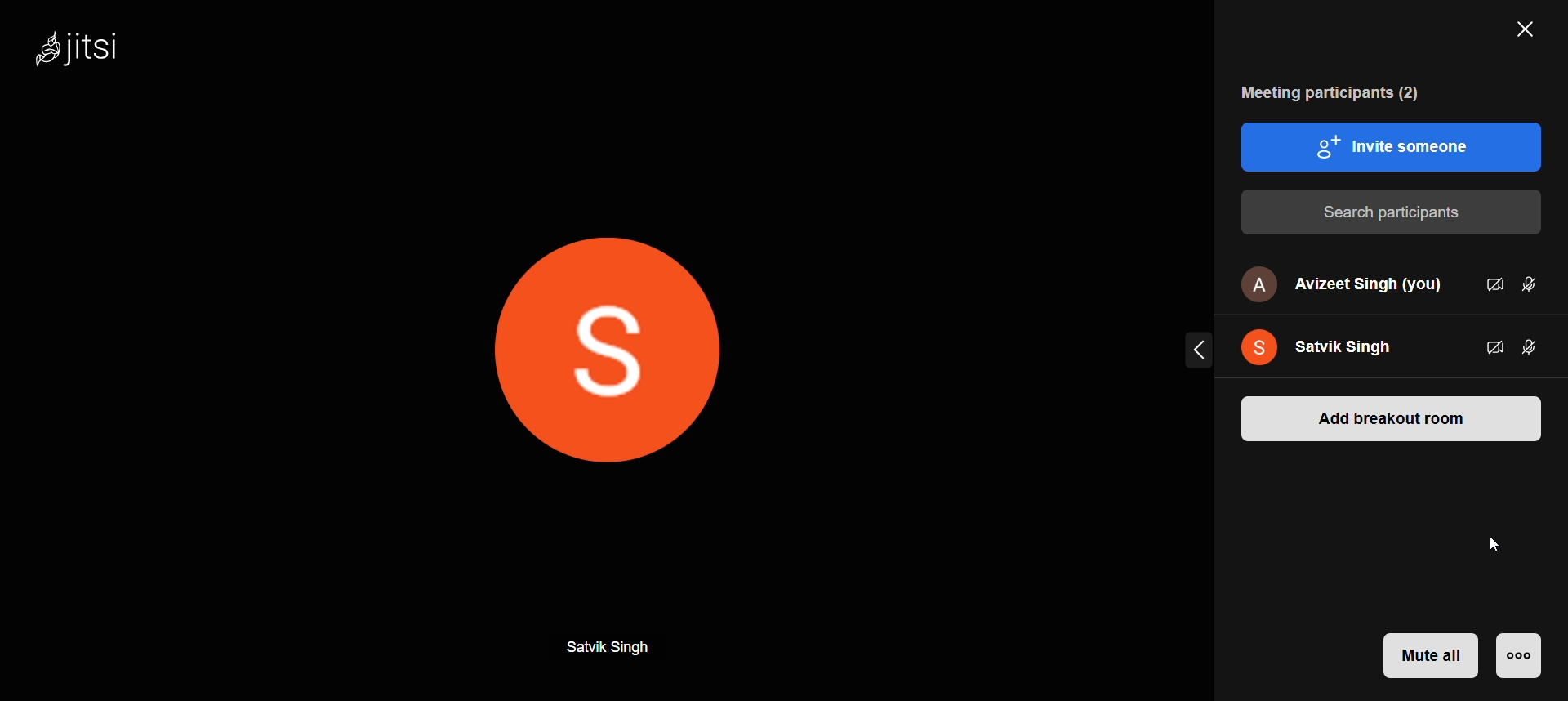  I want to click on add breakout room, so click(1394, 417).